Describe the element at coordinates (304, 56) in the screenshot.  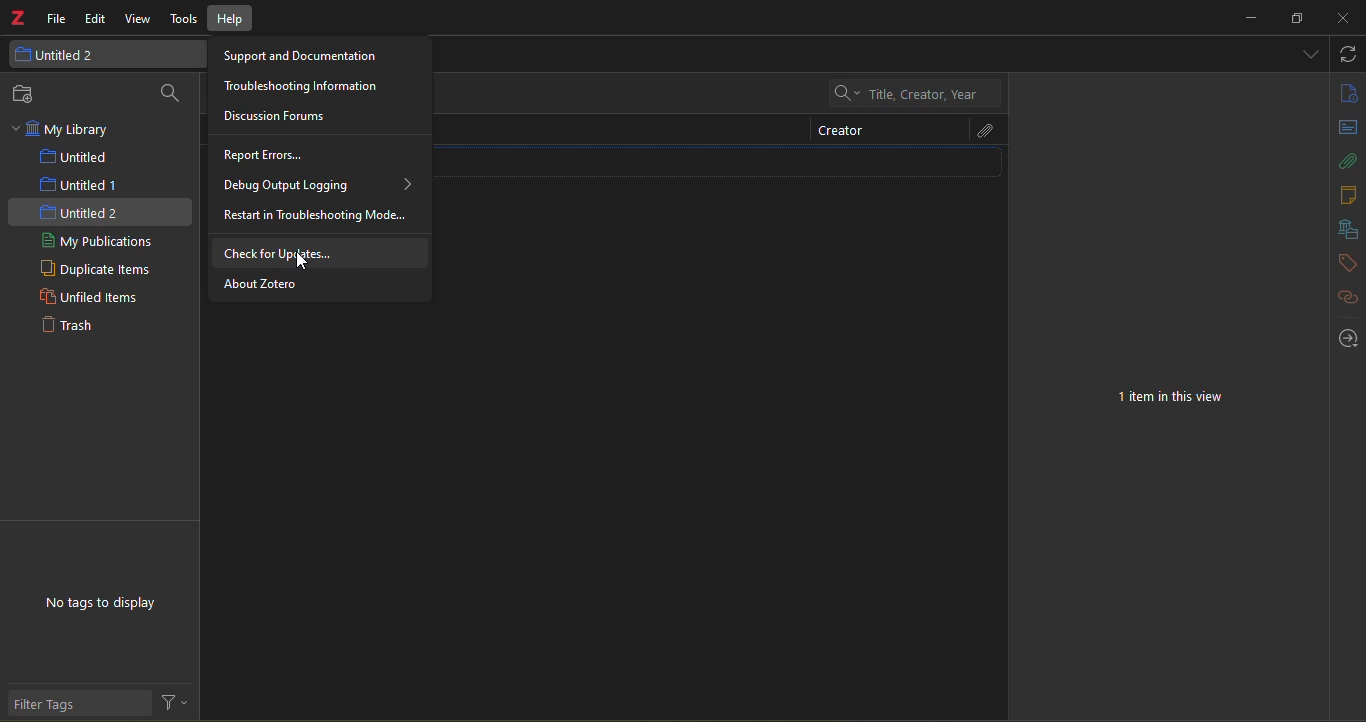
I see `Support and Documentation` at that location.